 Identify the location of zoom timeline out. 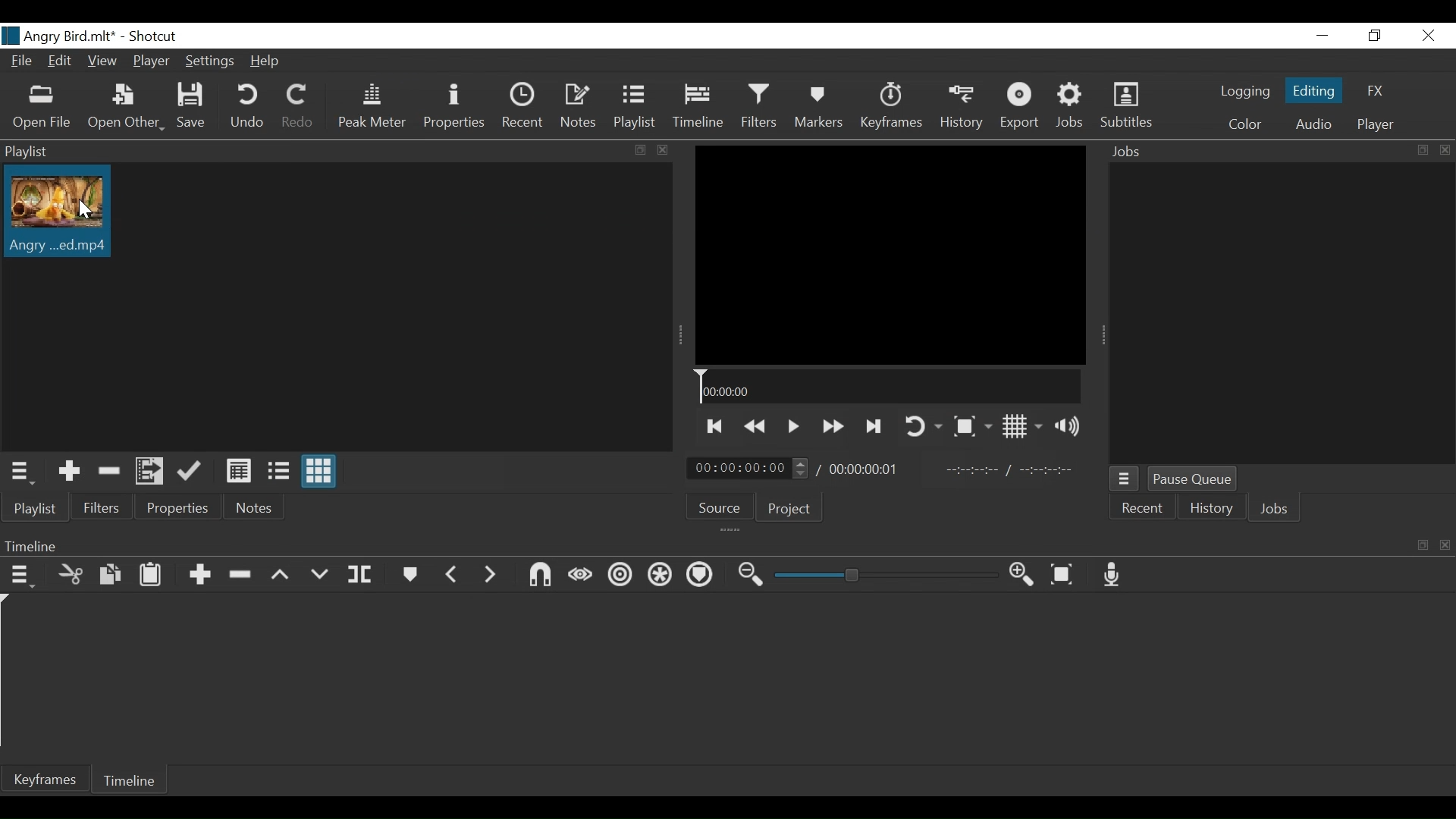
(1023, 575).